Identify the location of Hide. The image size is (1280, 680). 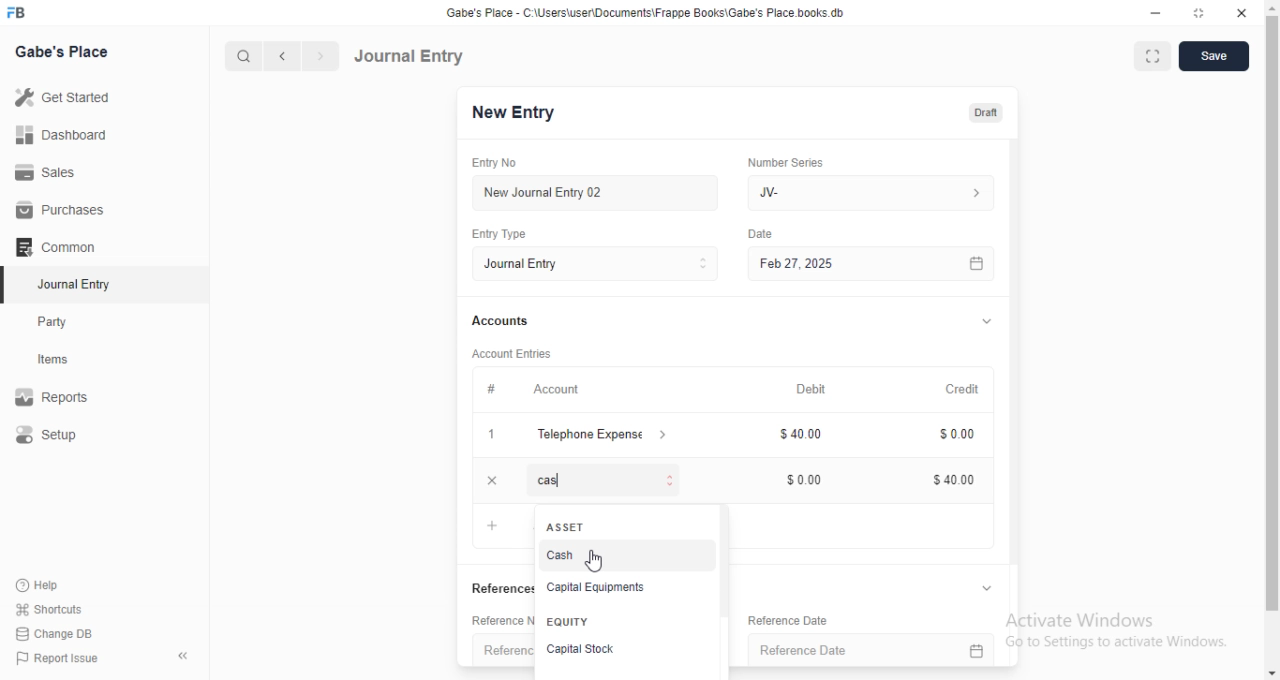
(987, 320).